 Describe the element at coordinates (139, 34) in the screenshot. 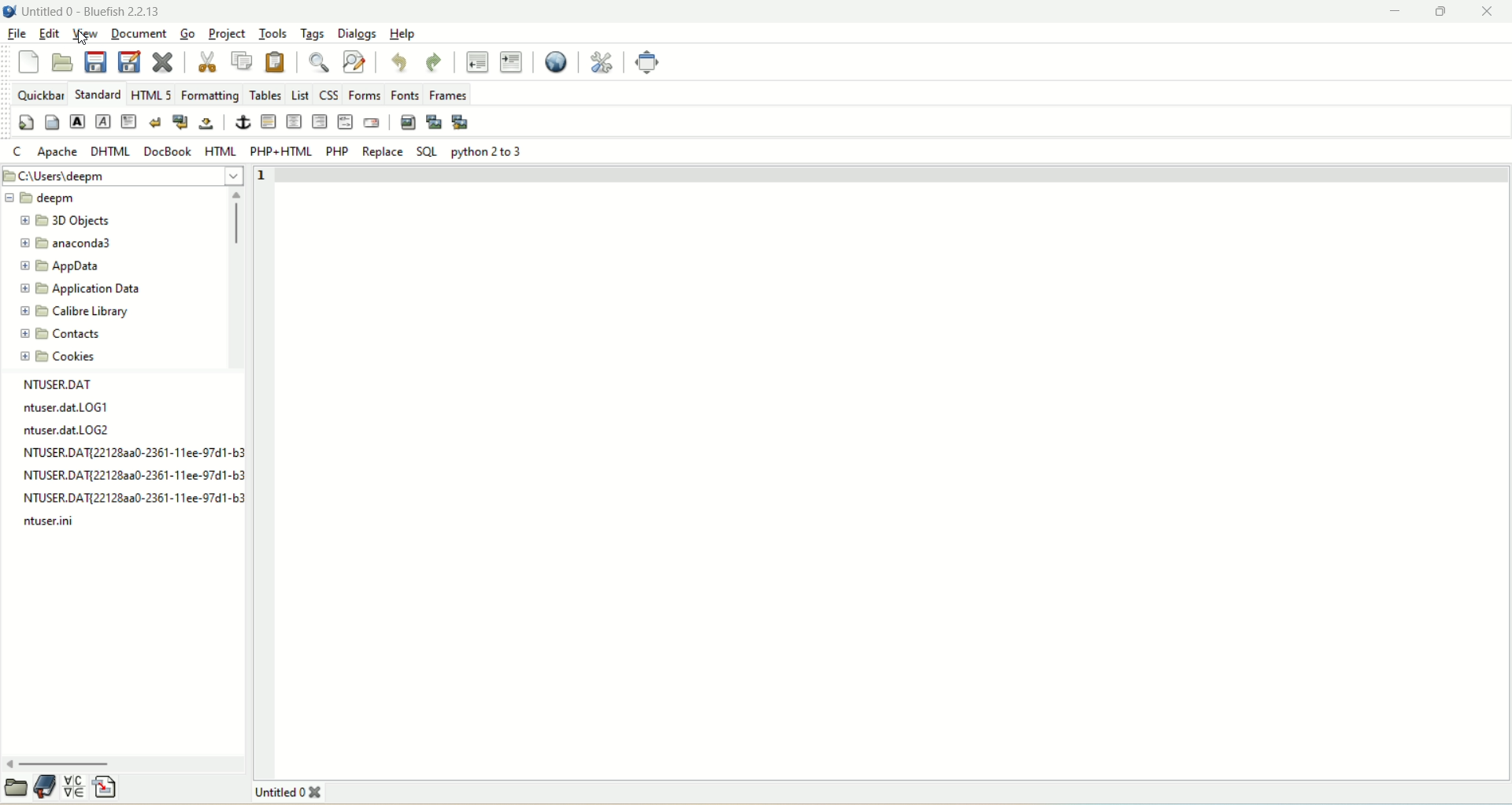

I see `document` at that location.